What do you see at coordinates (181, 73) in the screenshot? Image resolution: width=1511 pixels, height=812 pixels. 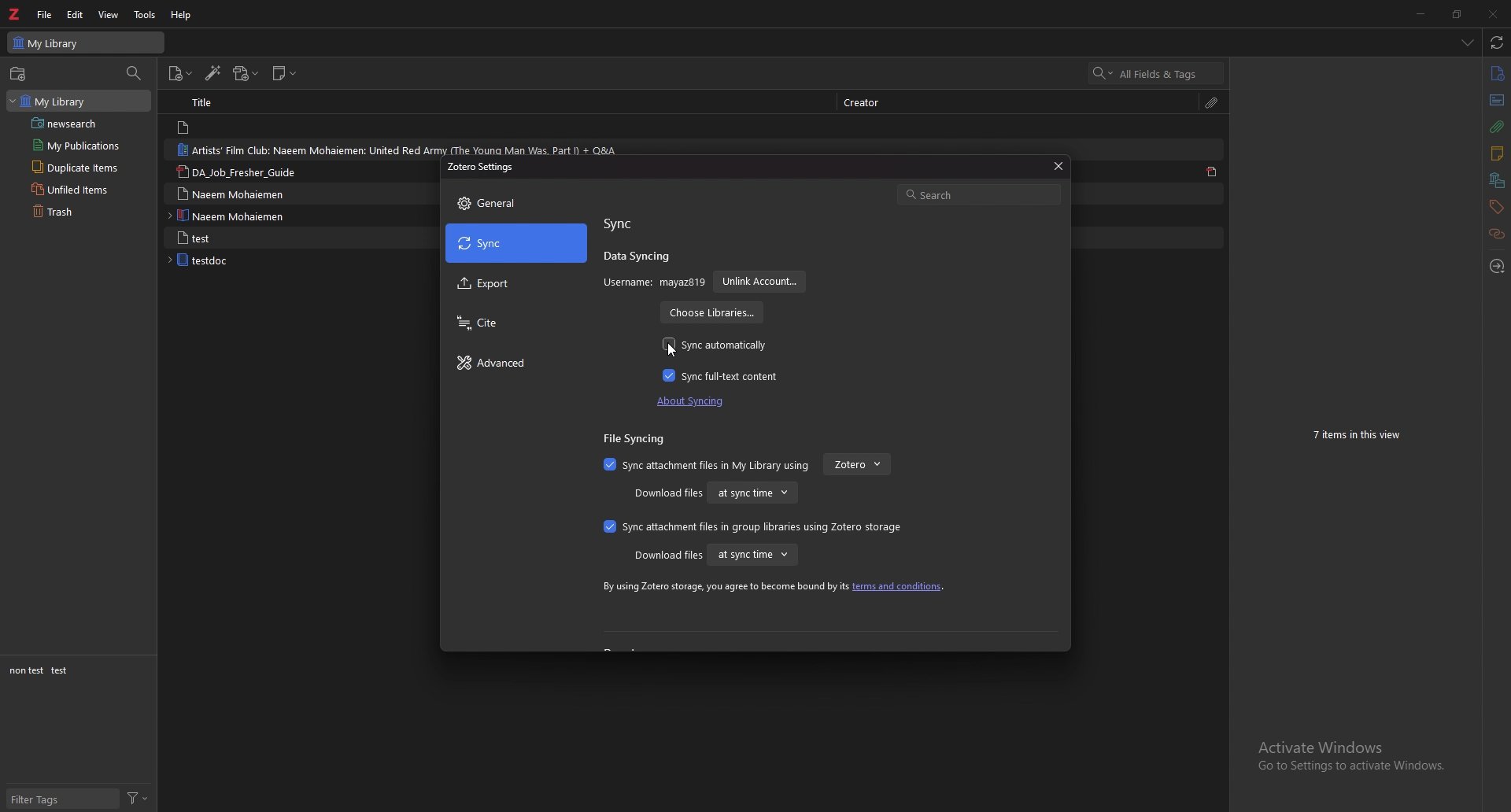 I see `new item` at bounding box center [181, 73].